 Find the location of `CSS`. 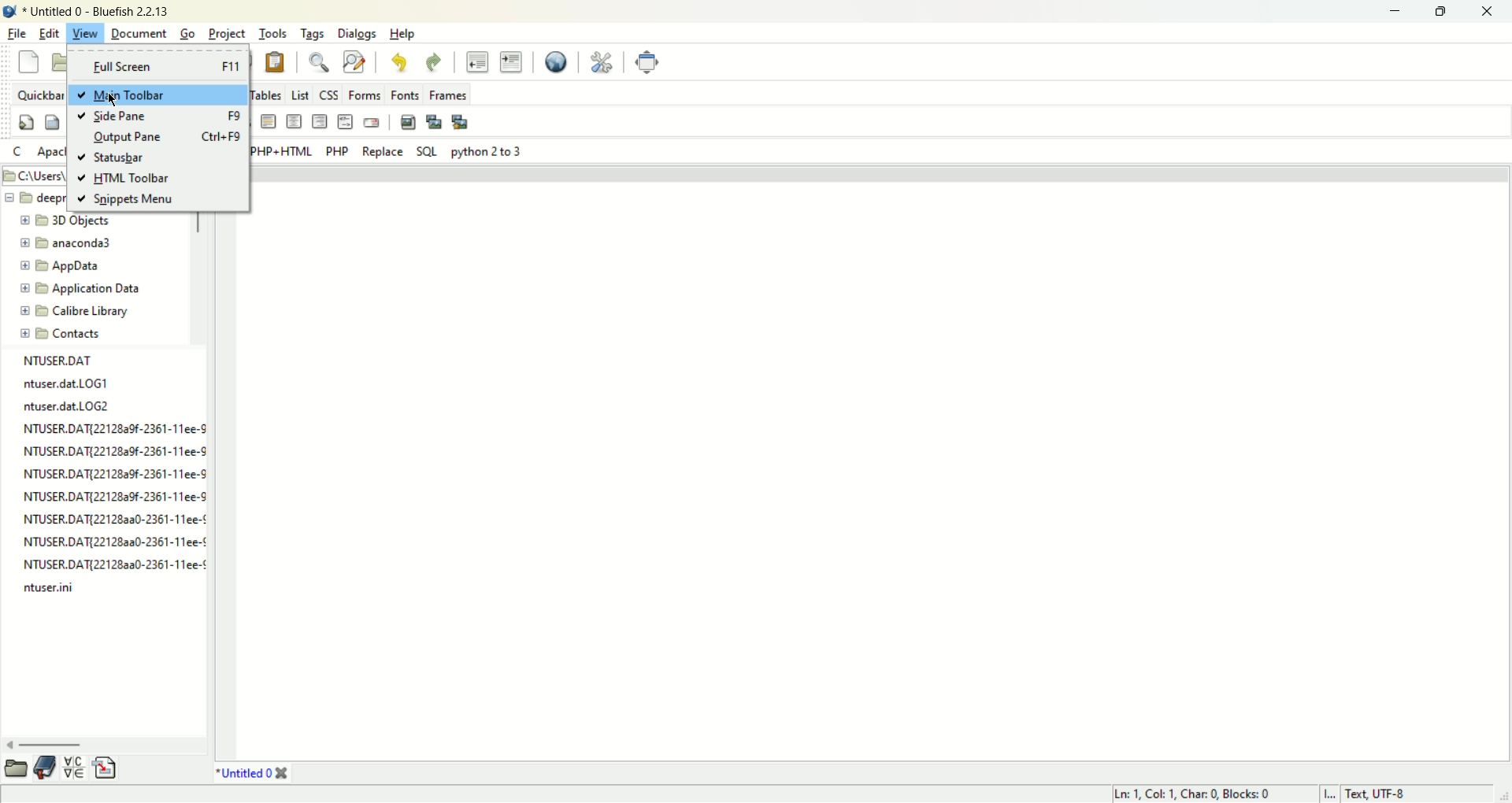

CSS is located at coordinates (330, 94).